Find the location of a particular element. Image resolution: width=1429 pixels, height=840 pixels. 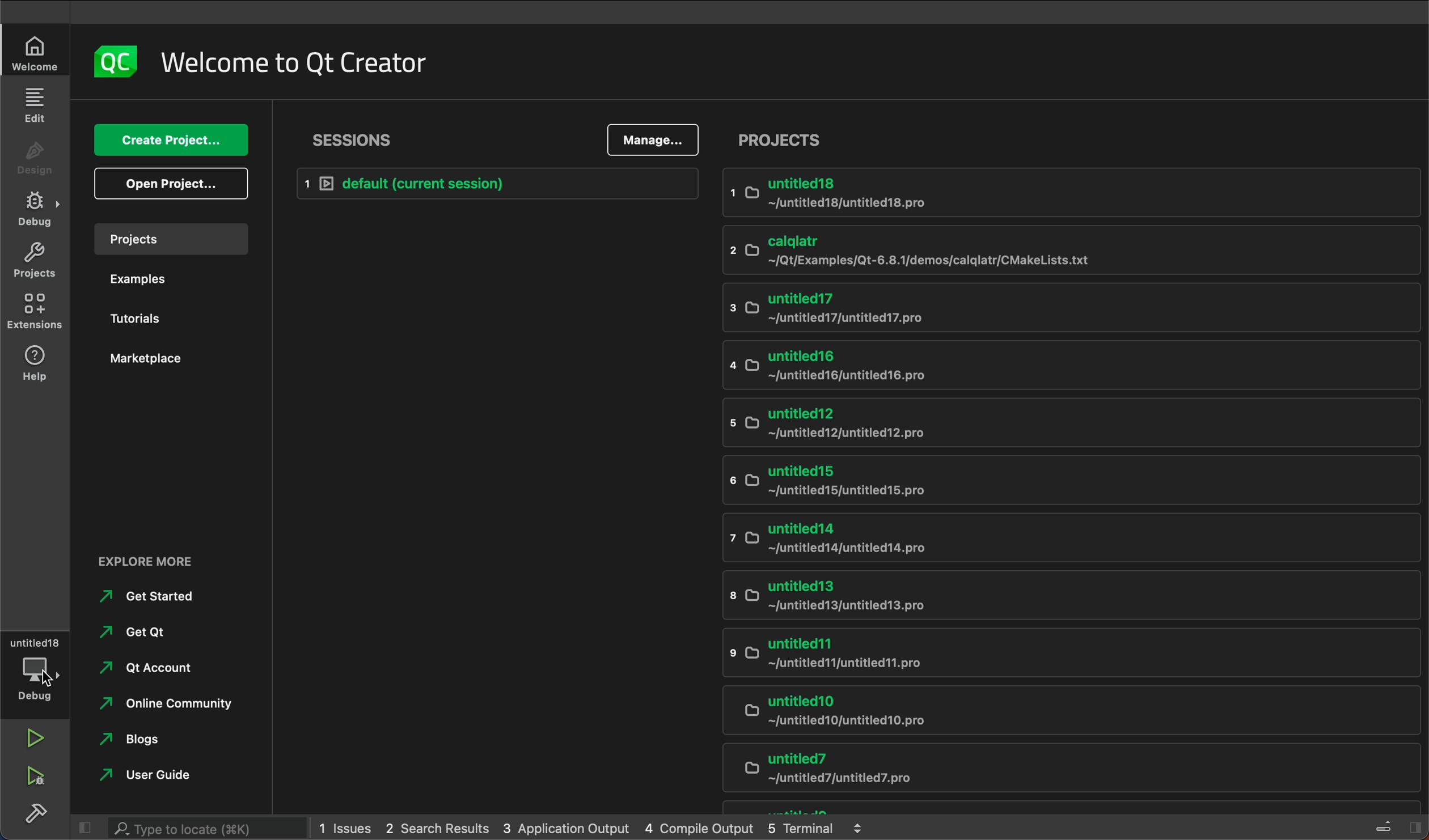

edit is located at coordinates (37, 105).